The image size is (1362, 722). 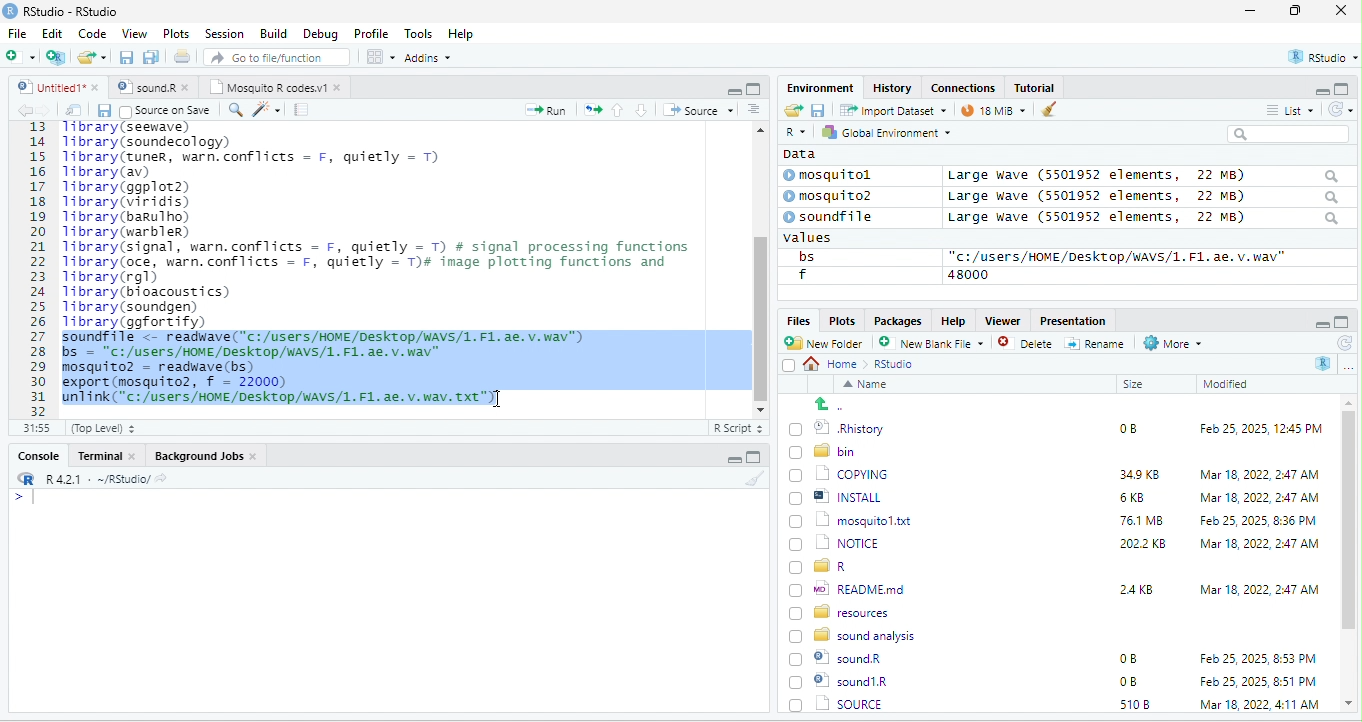 I want to click on “c:/users/HOME /Desktop/WAVS/1.F1. ae. v.wav", so click(x=1117, y=256).